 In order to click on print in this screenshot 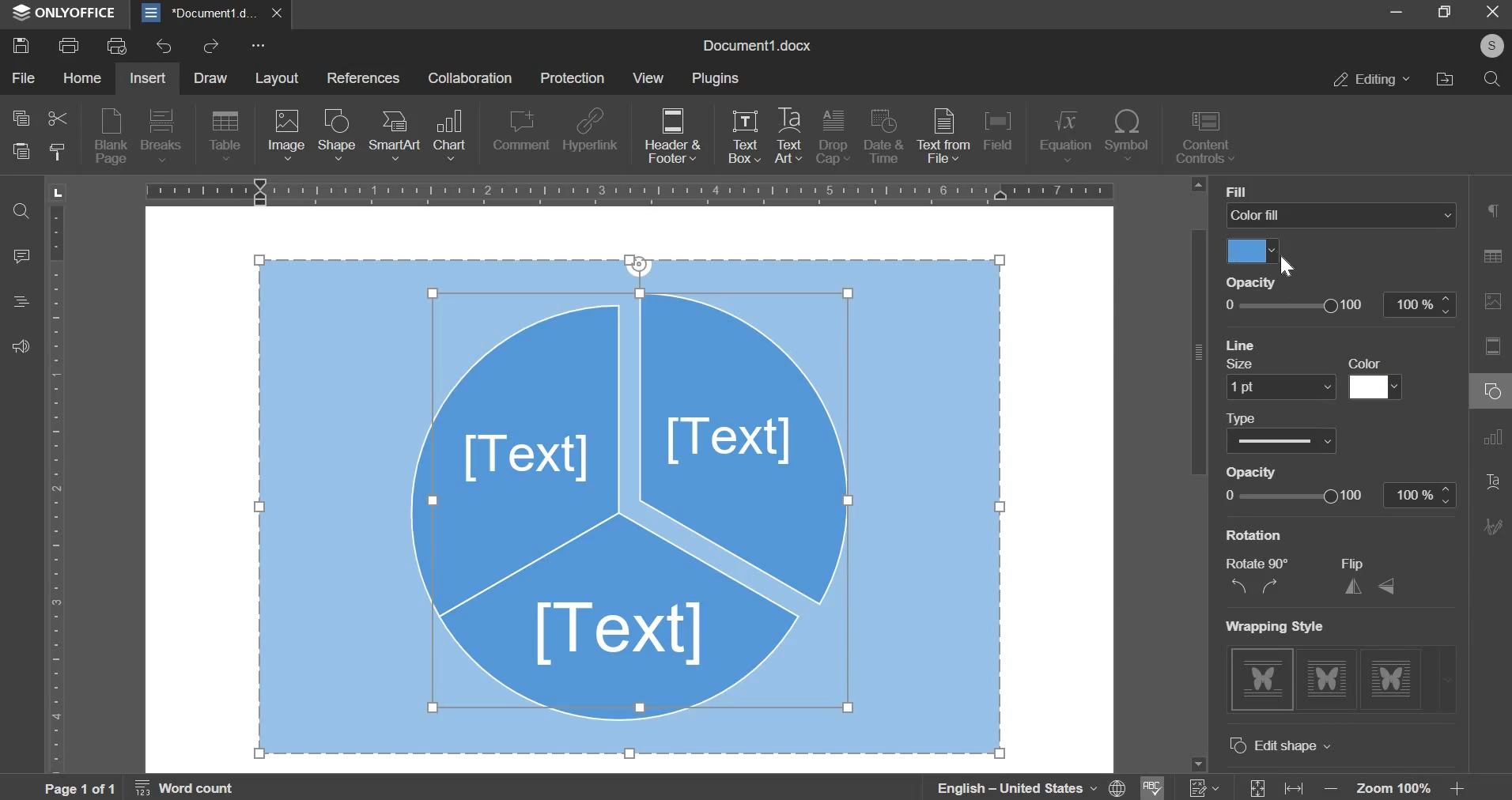, I will do `click(68, 44)`.